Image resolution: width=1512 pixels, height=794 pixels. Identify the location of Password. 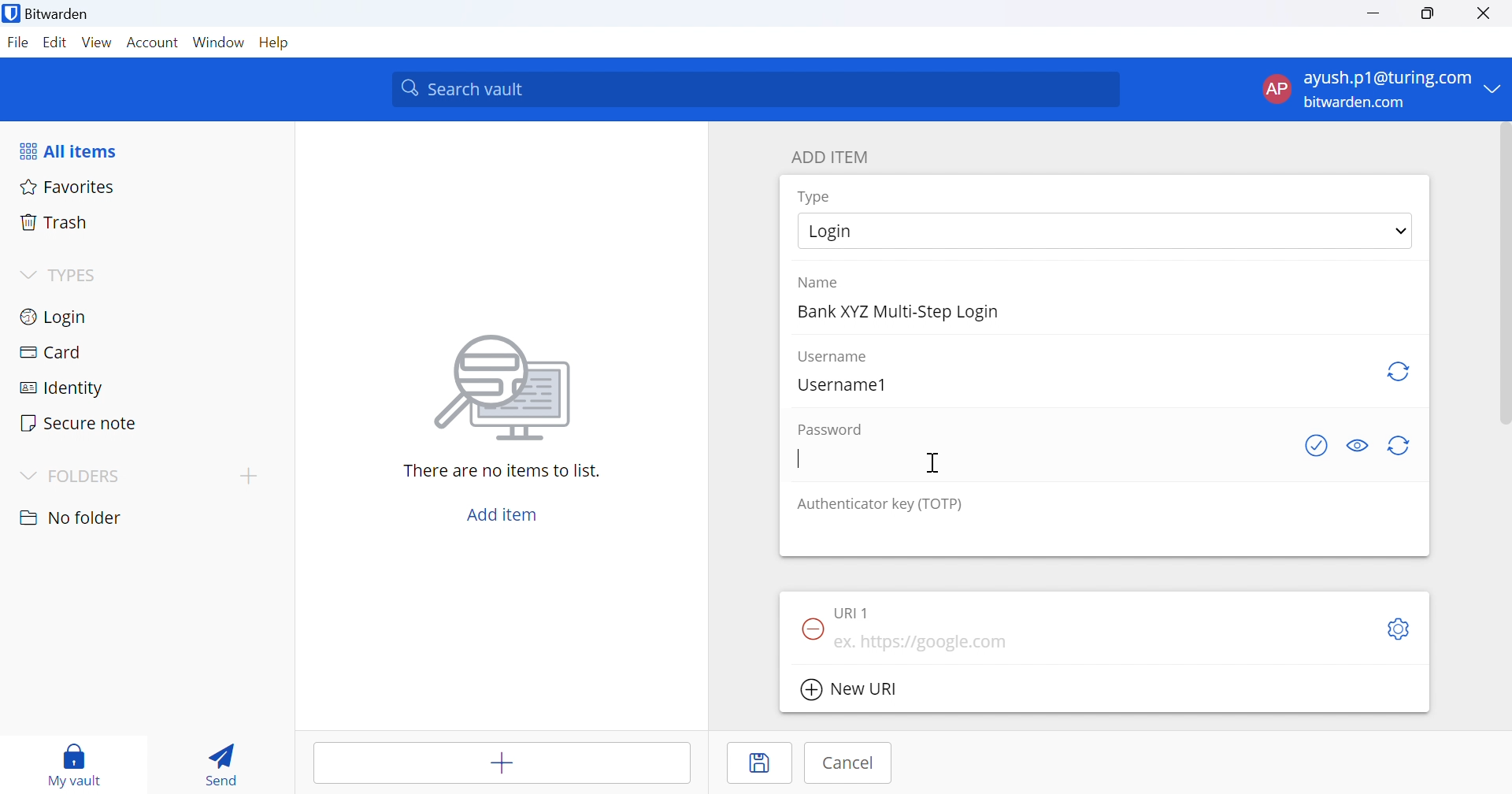
(832, 429).